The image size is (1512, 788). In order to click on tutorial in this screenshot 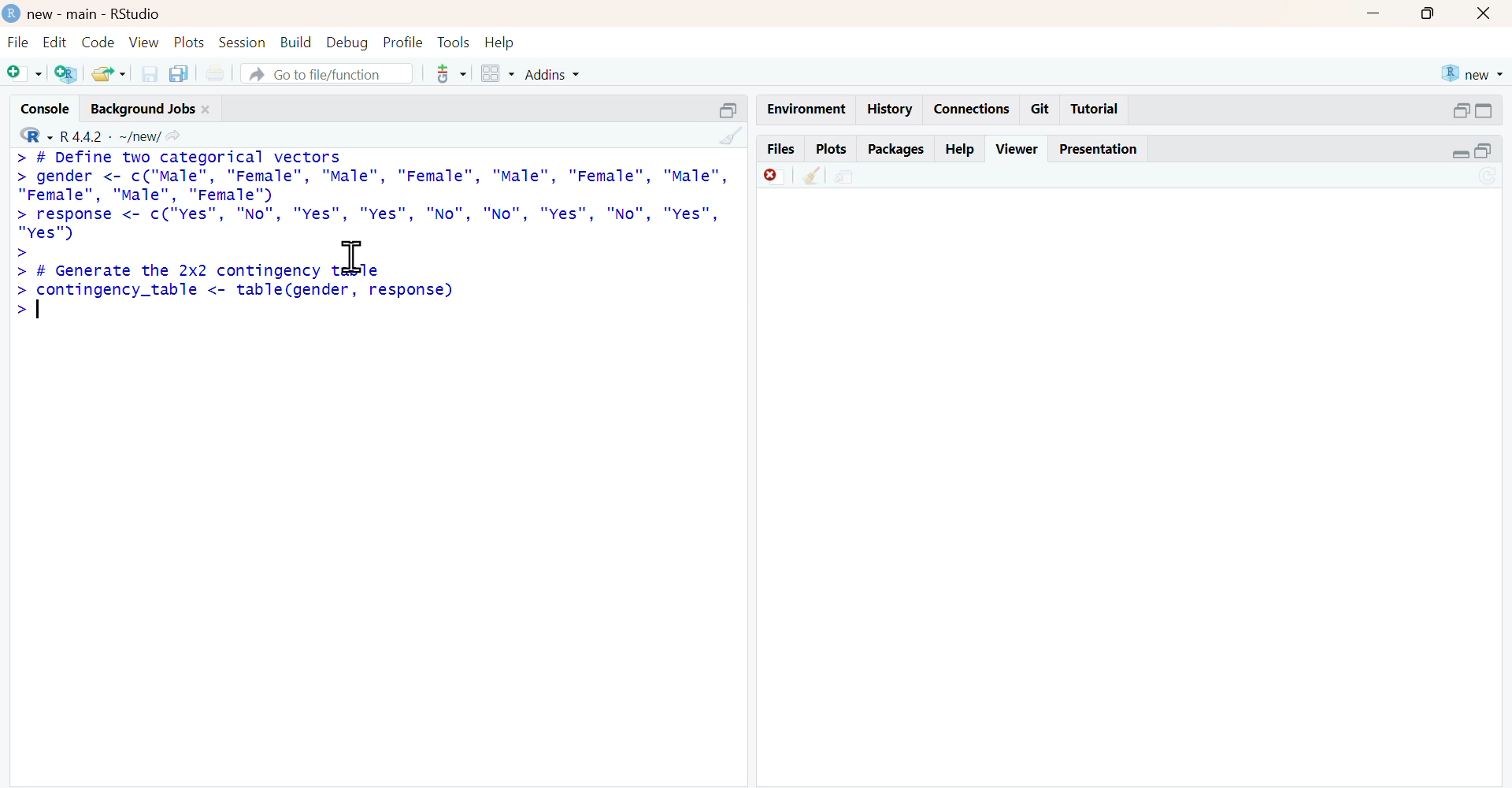, I will do `click(1094, 110)`.